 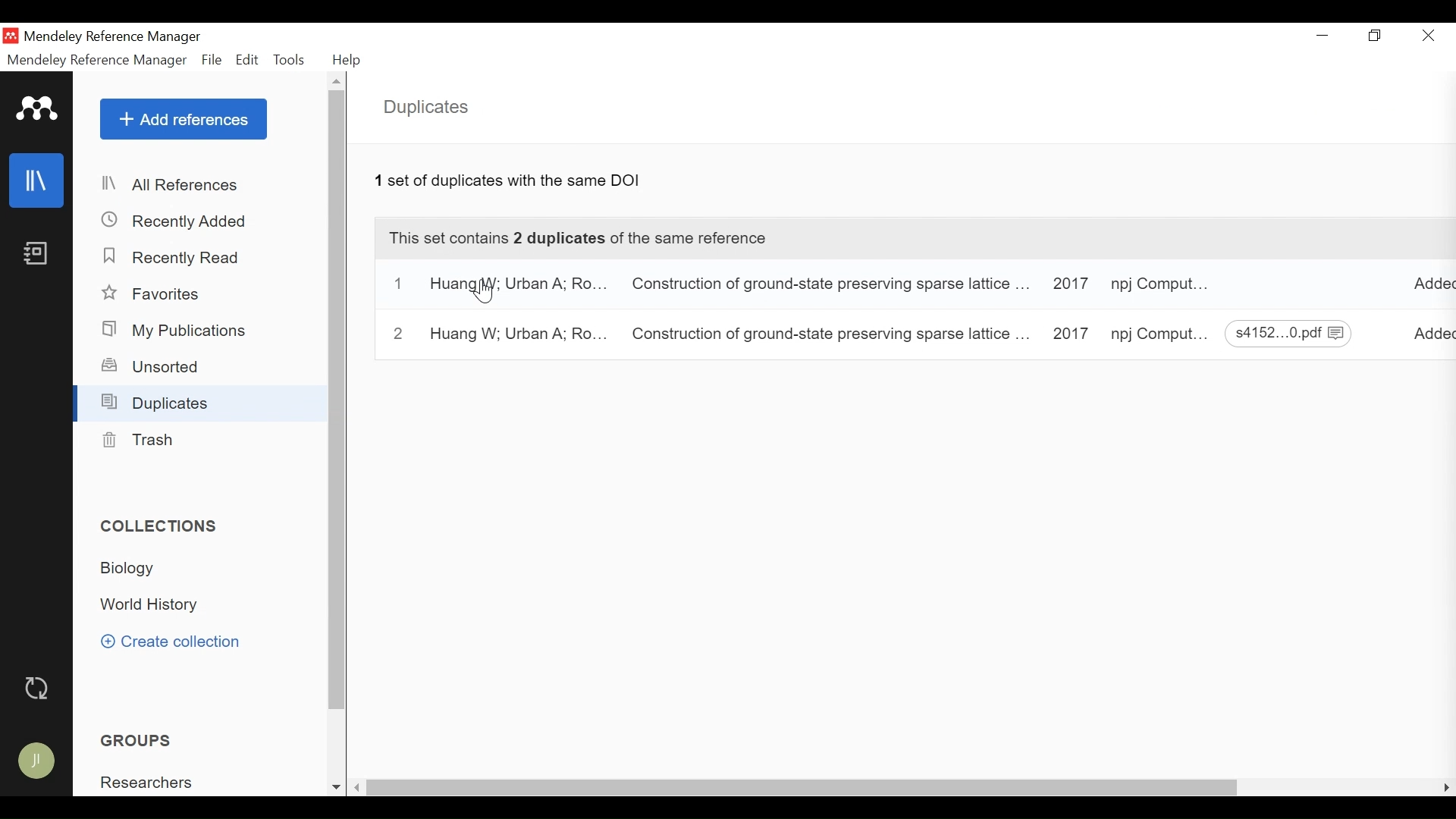 I want to click on All References, so click(x=199, y=186).